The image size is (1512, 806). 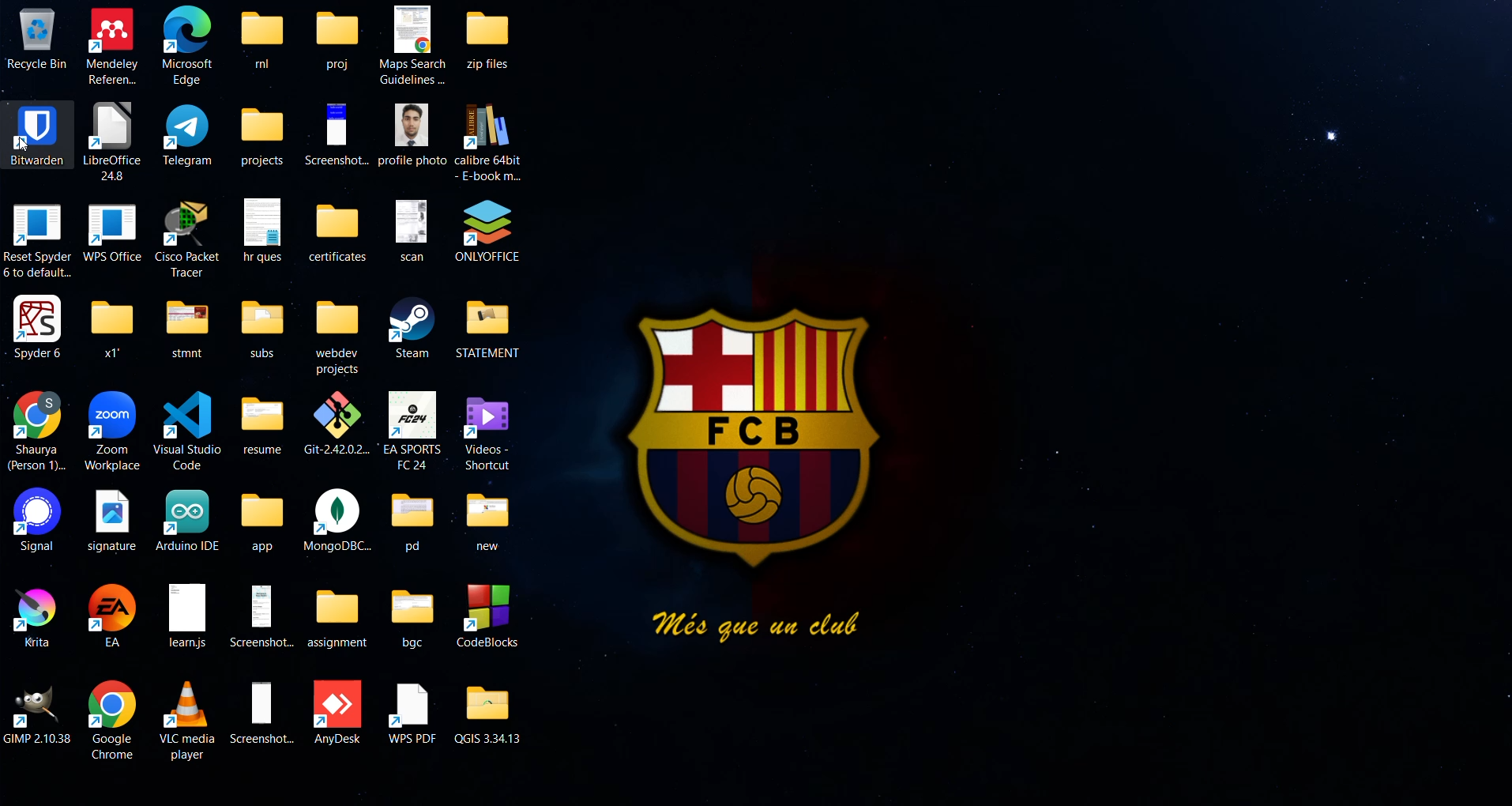 What do you see at coordinates (417, 521) in the screenshot?
I see `pd` at bounding box center [417, 521].